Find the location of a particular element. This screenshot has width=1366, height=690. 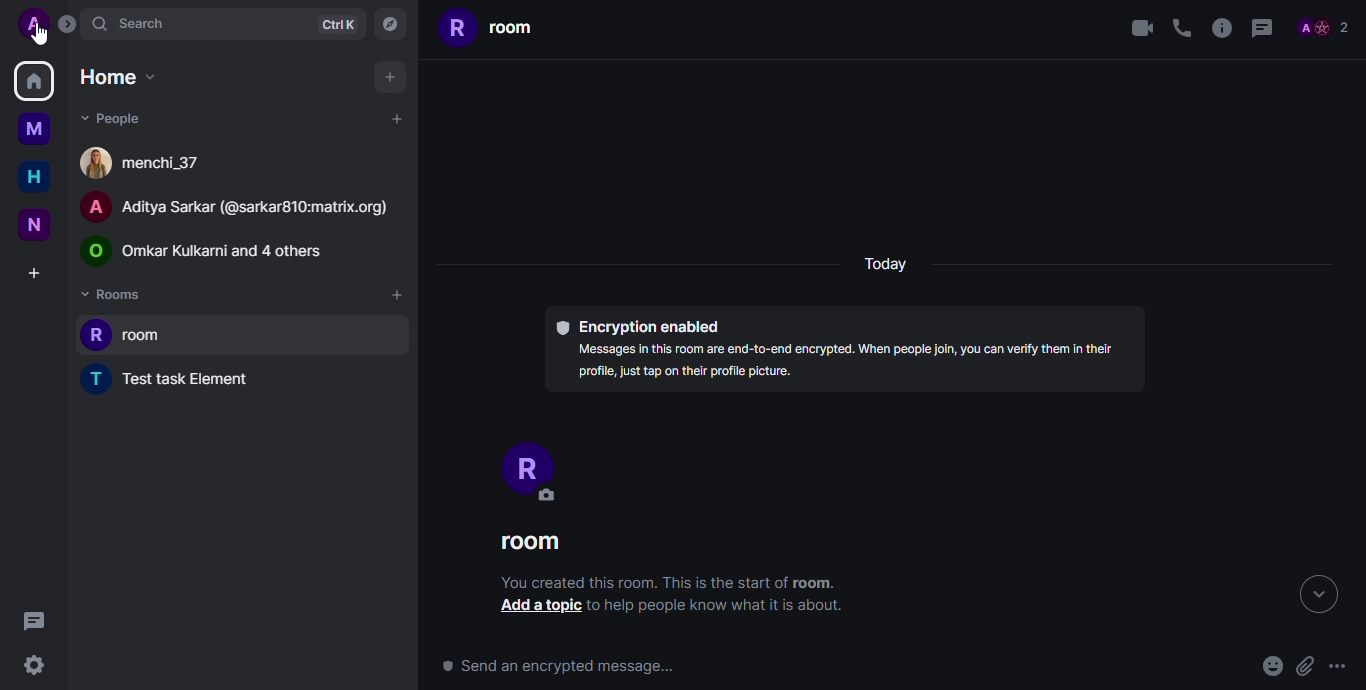

room is located at coordinates (530, 543).